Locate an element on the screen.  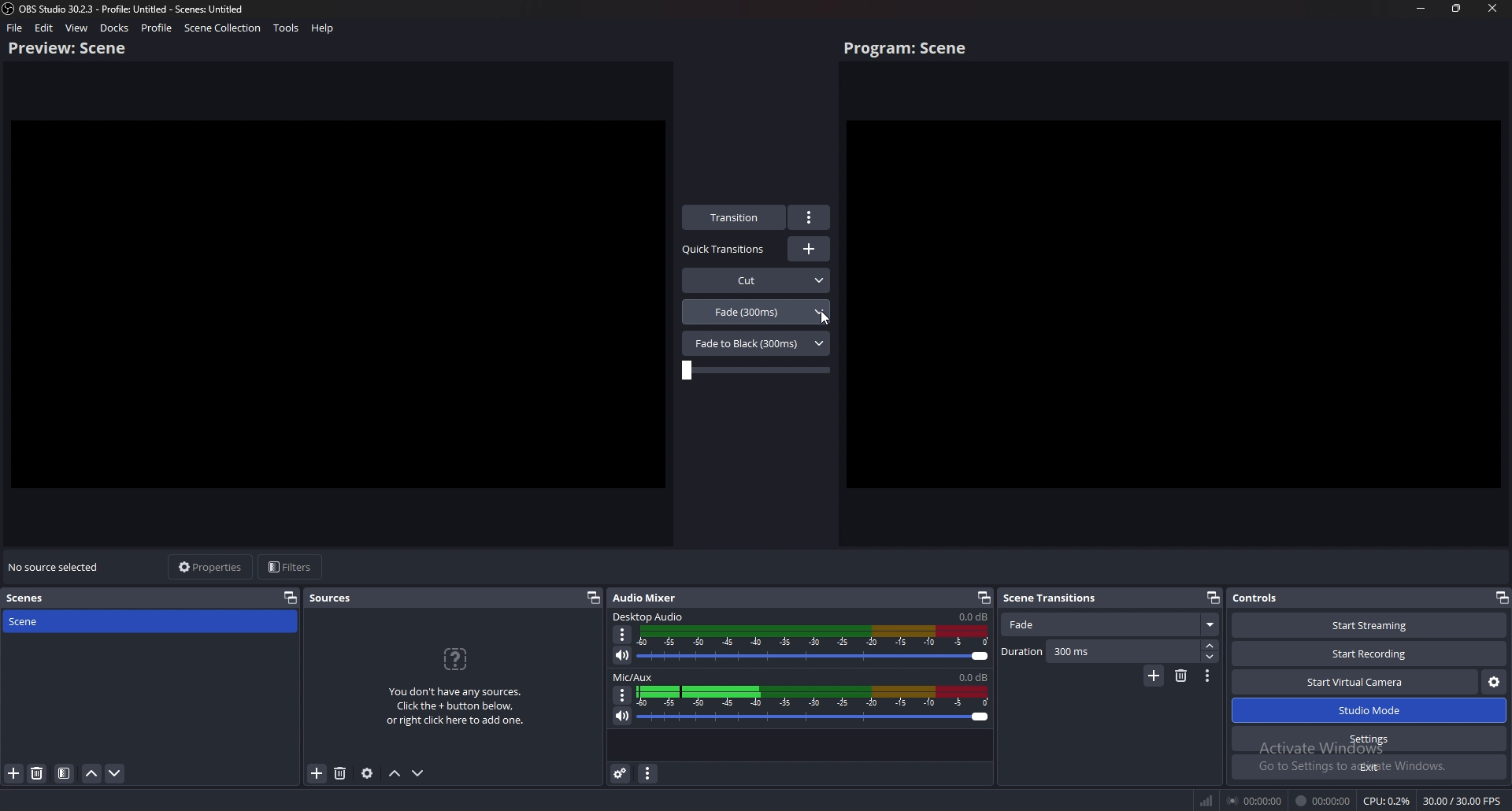
Seen transitions  is located at coordinates (1054, 597).